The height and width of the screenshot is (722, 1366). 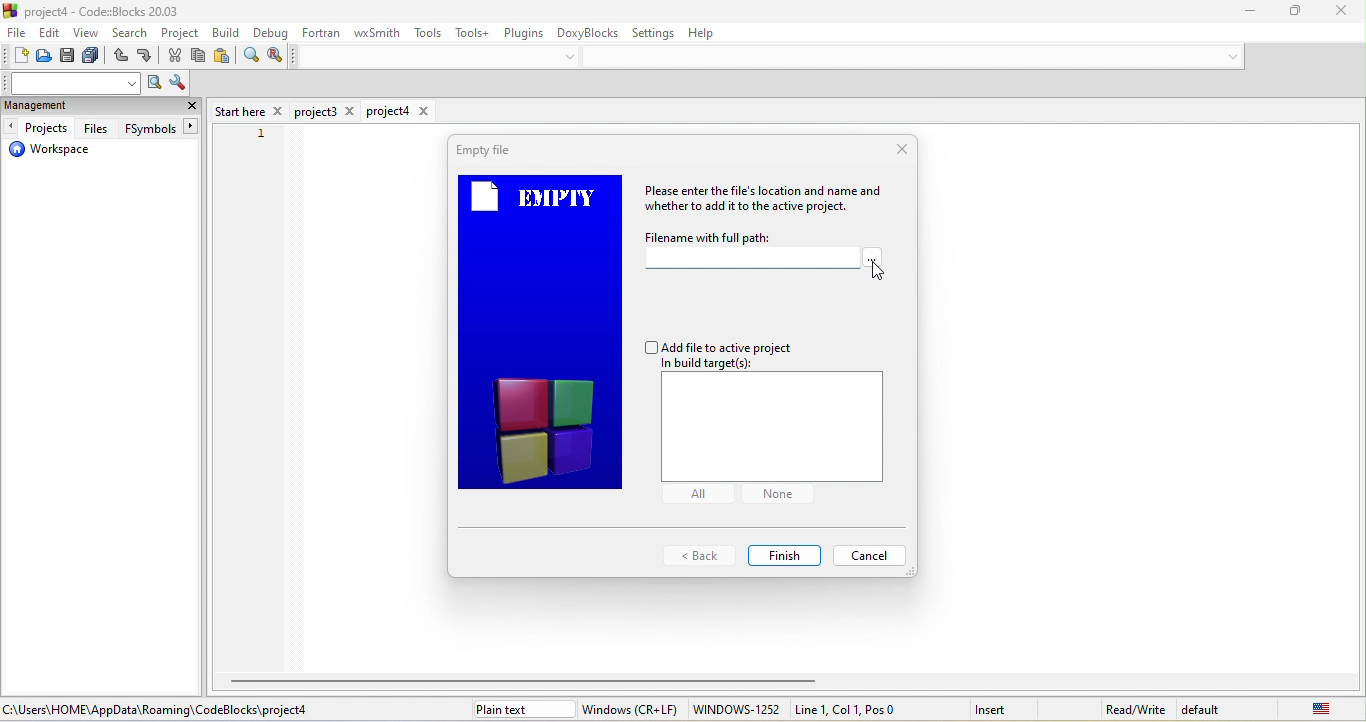 What do you see at coordinates (50, 152) in the screenshot?
I see `workspace` at bounding box center [50, 152].